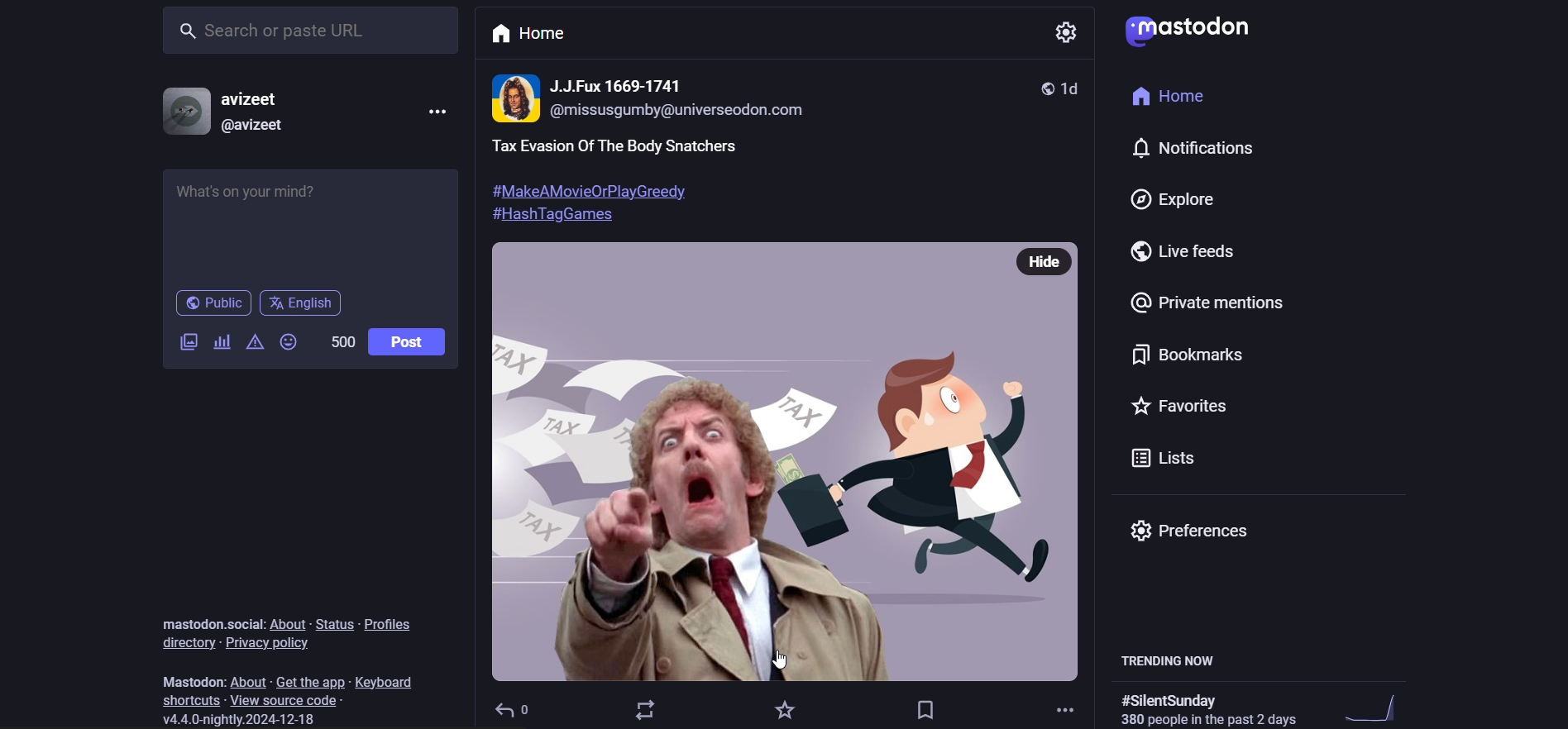 The width and height of the screenshot is (1568, 729). What do you see at coordinates (409, 337) in the screenshot?
I see `post` at bounding box center [409, 337].